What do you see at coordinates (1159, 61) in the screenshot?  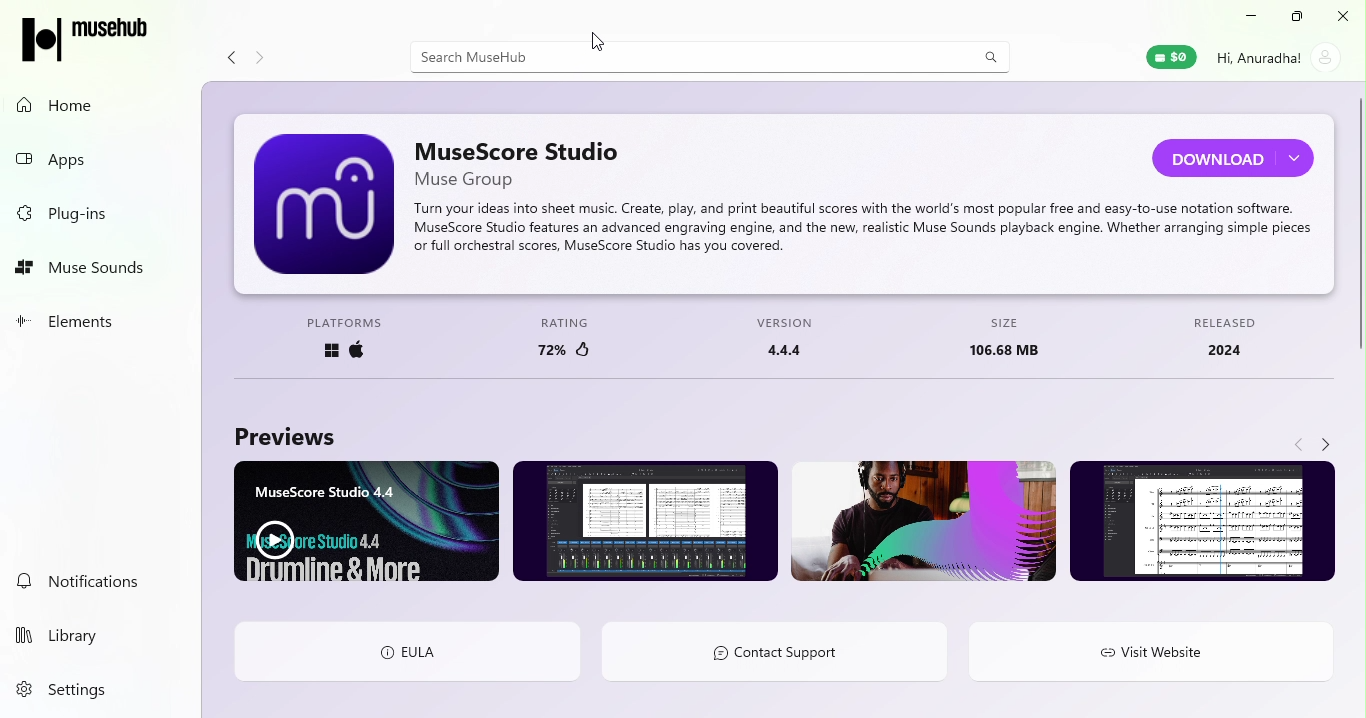 I see `Muse wallet` at bounding box center [1159, 61].